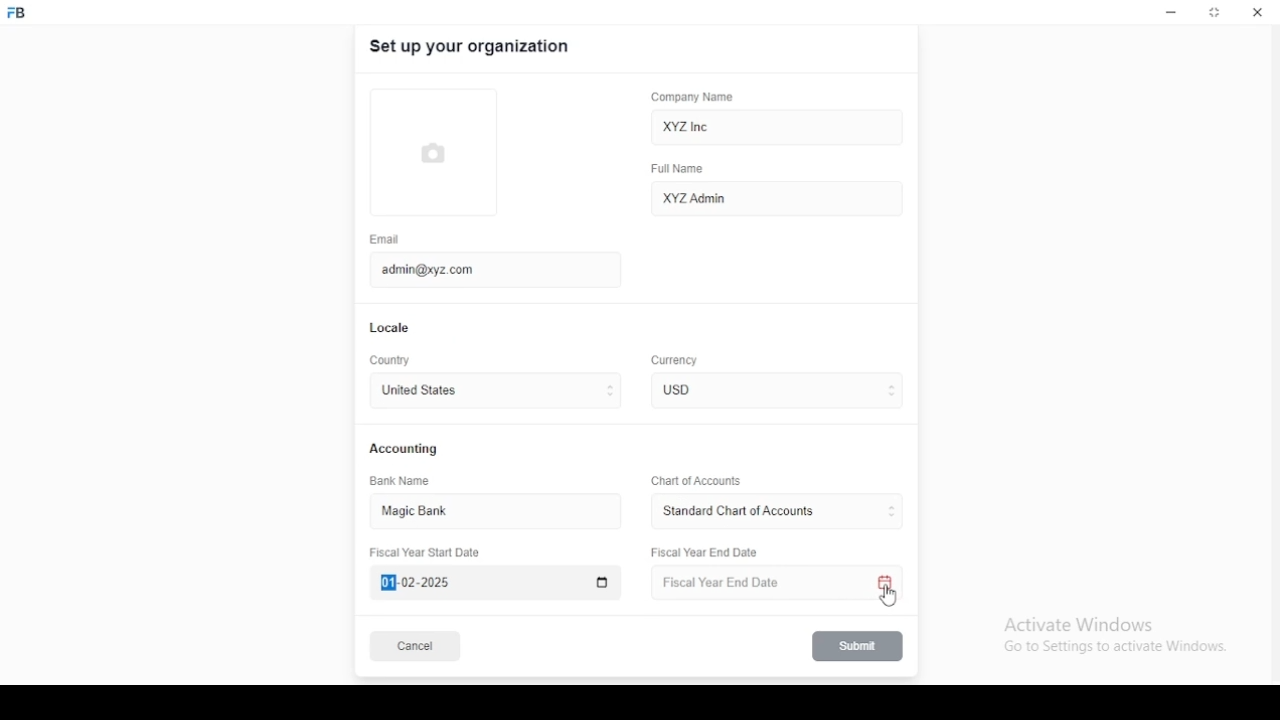 This screenshot has width=1280, height=720. Describe the element at coordinates (385, 239) in the screenshot. I see `email` at that location.